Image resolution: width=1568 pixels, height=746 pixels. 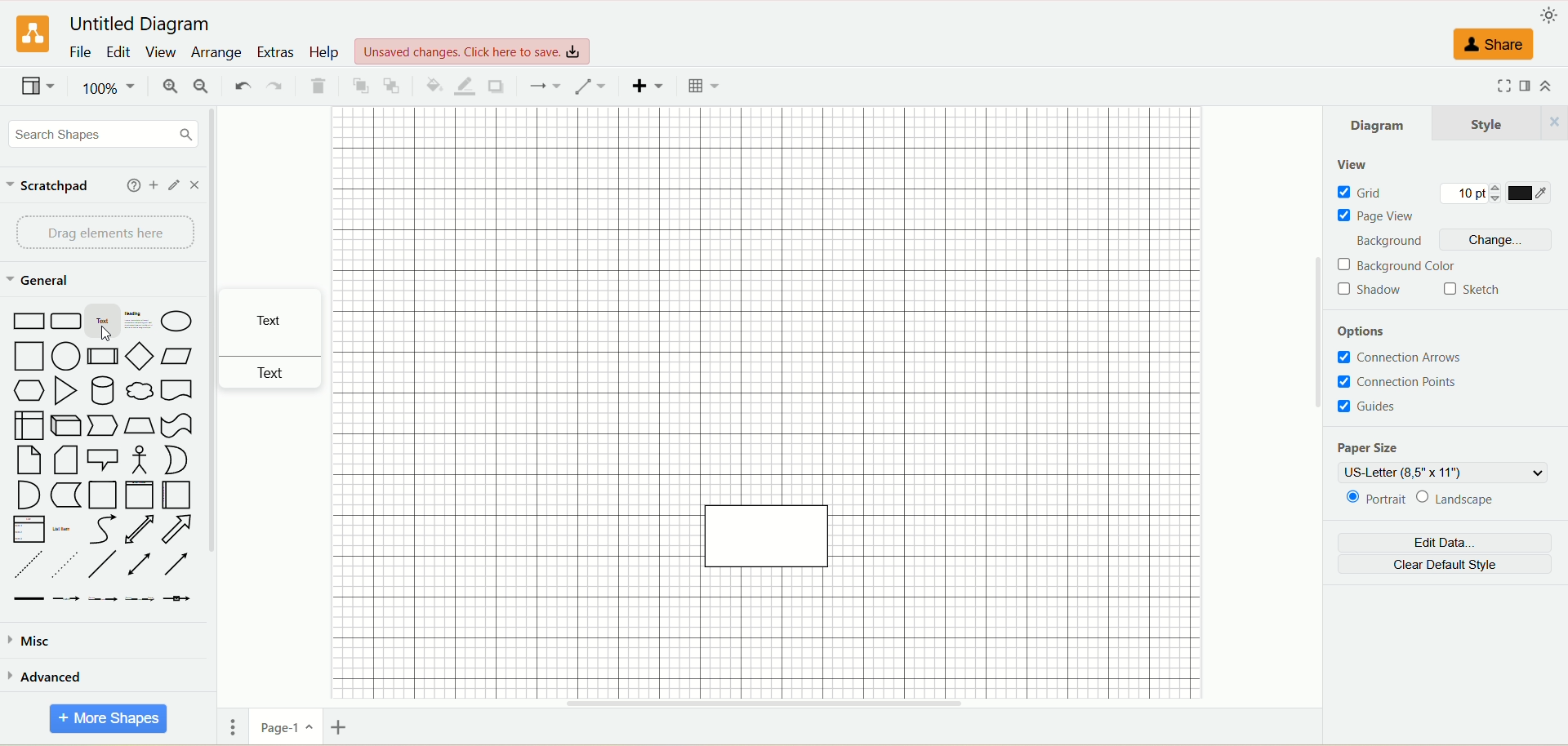 I want to click on zoom, so click(x=109, y=85).